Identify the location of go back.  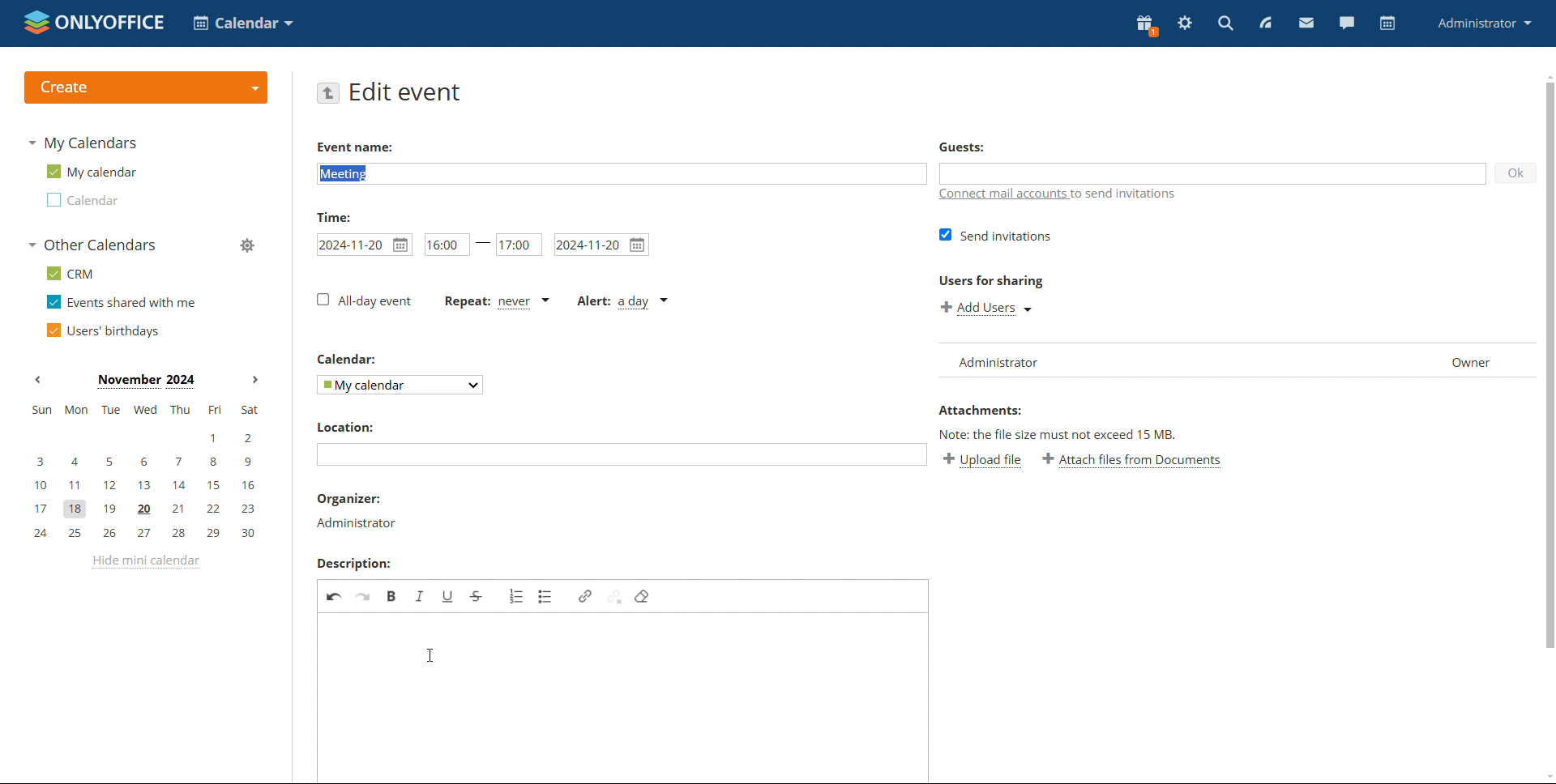
(328, 93).